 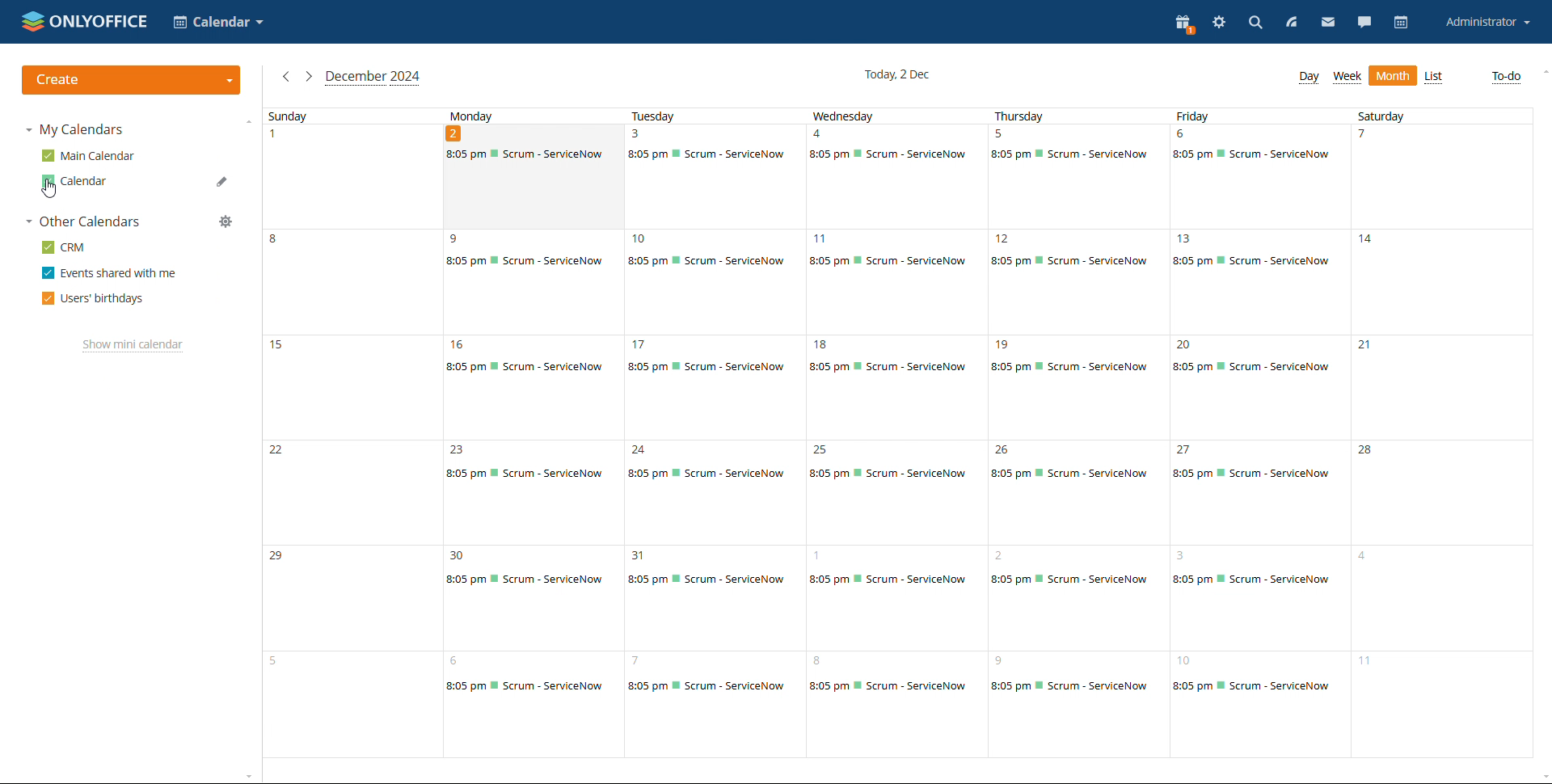 I want to click on events shared with me, so click(x=108, y=272).